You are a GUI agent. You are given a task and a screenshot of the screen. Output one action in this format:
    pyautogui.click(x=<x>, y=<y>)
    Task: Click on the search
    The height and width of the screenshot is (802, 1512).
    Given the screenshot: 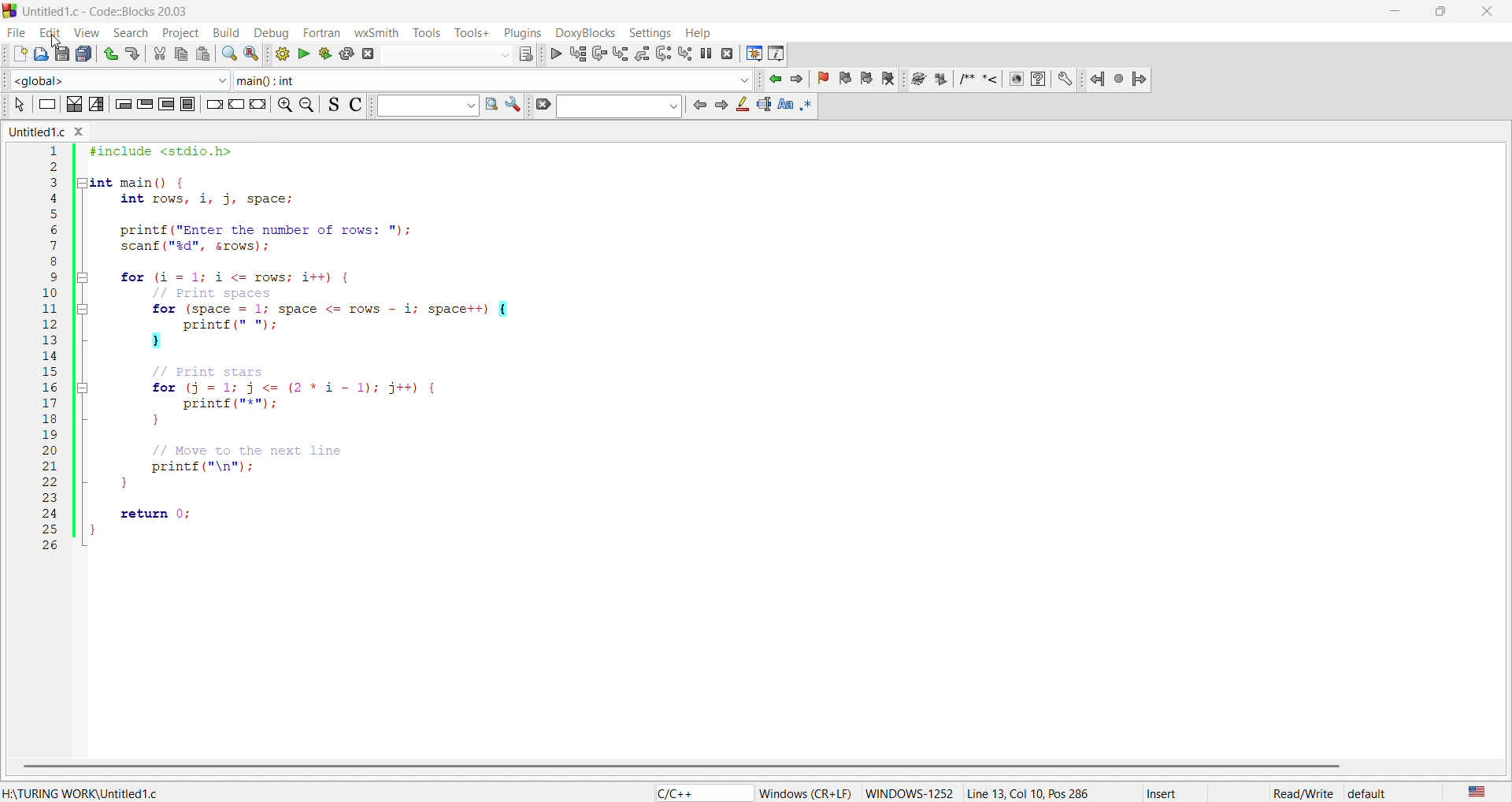 What is the action you would take?
    pyautogui.click(x=132, y=32)
    